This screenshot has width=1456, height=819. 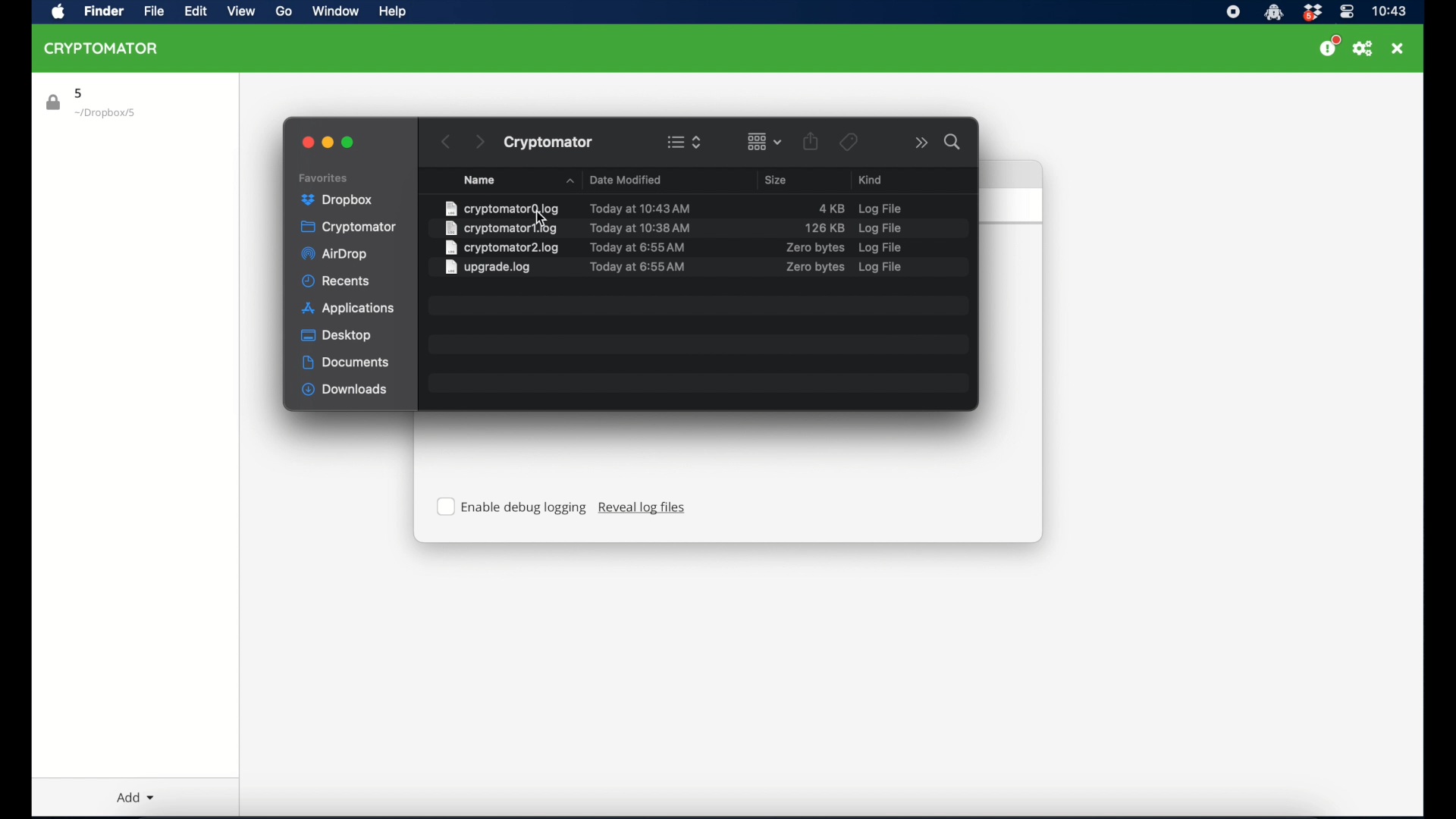 I want to click on kind, so click(x=870, y=180).